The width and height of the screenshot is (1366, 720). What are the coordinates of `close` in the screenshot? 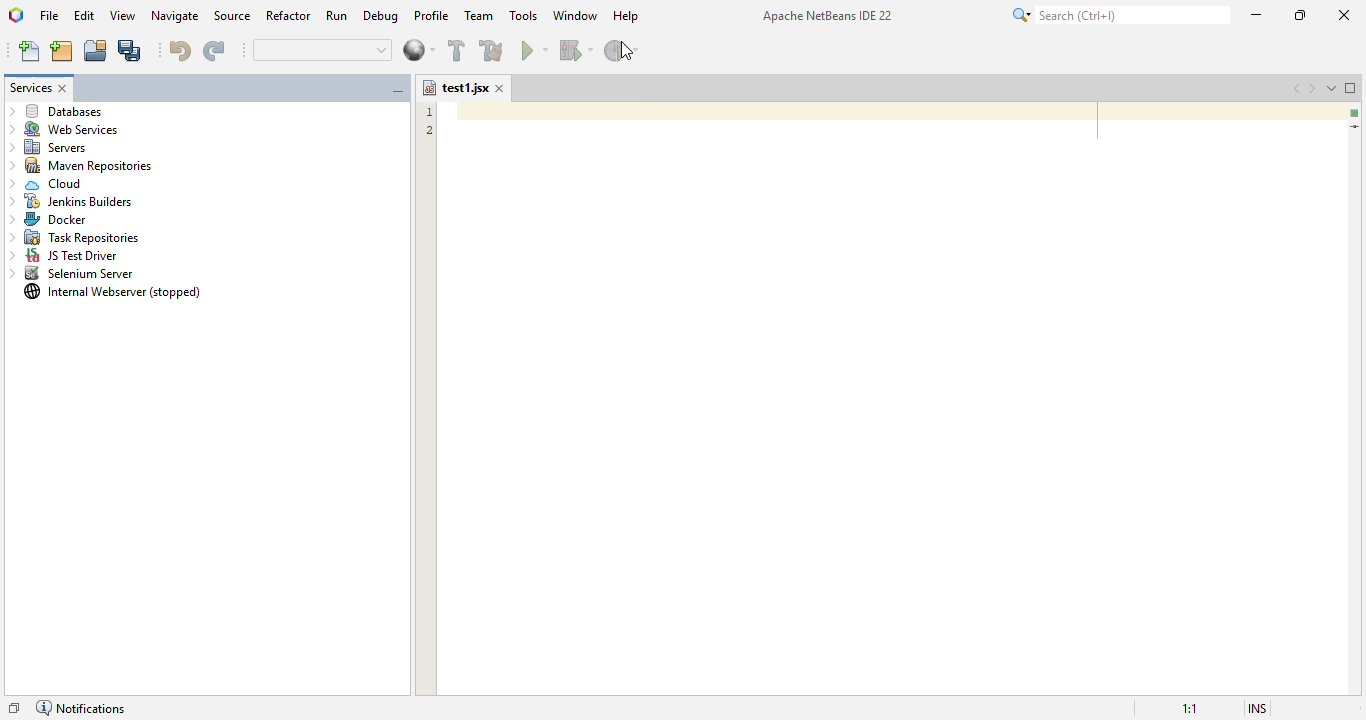 It's located at (500, 88).